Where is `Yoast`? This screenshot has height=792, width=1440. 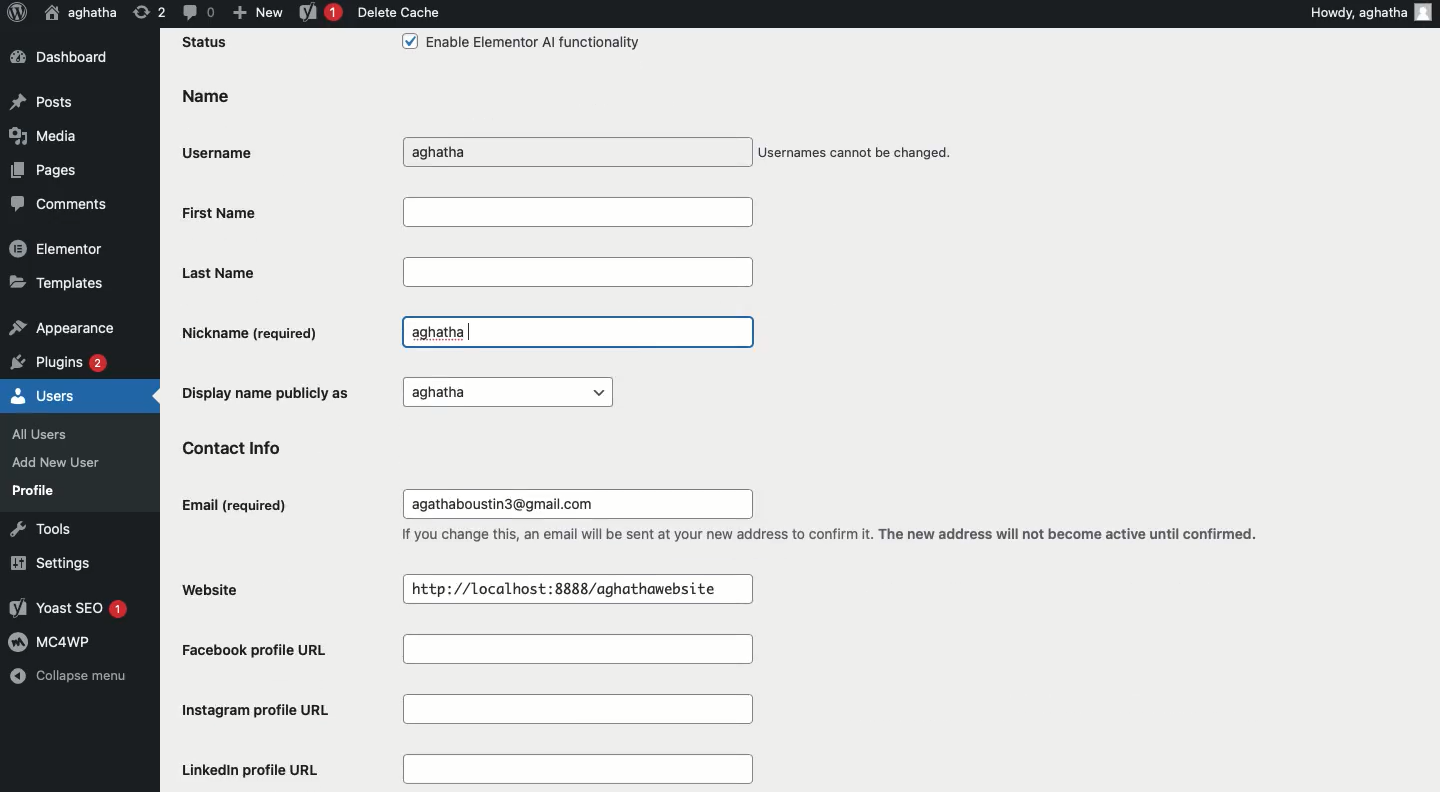 Yoast is located at coordinates (321, 14).